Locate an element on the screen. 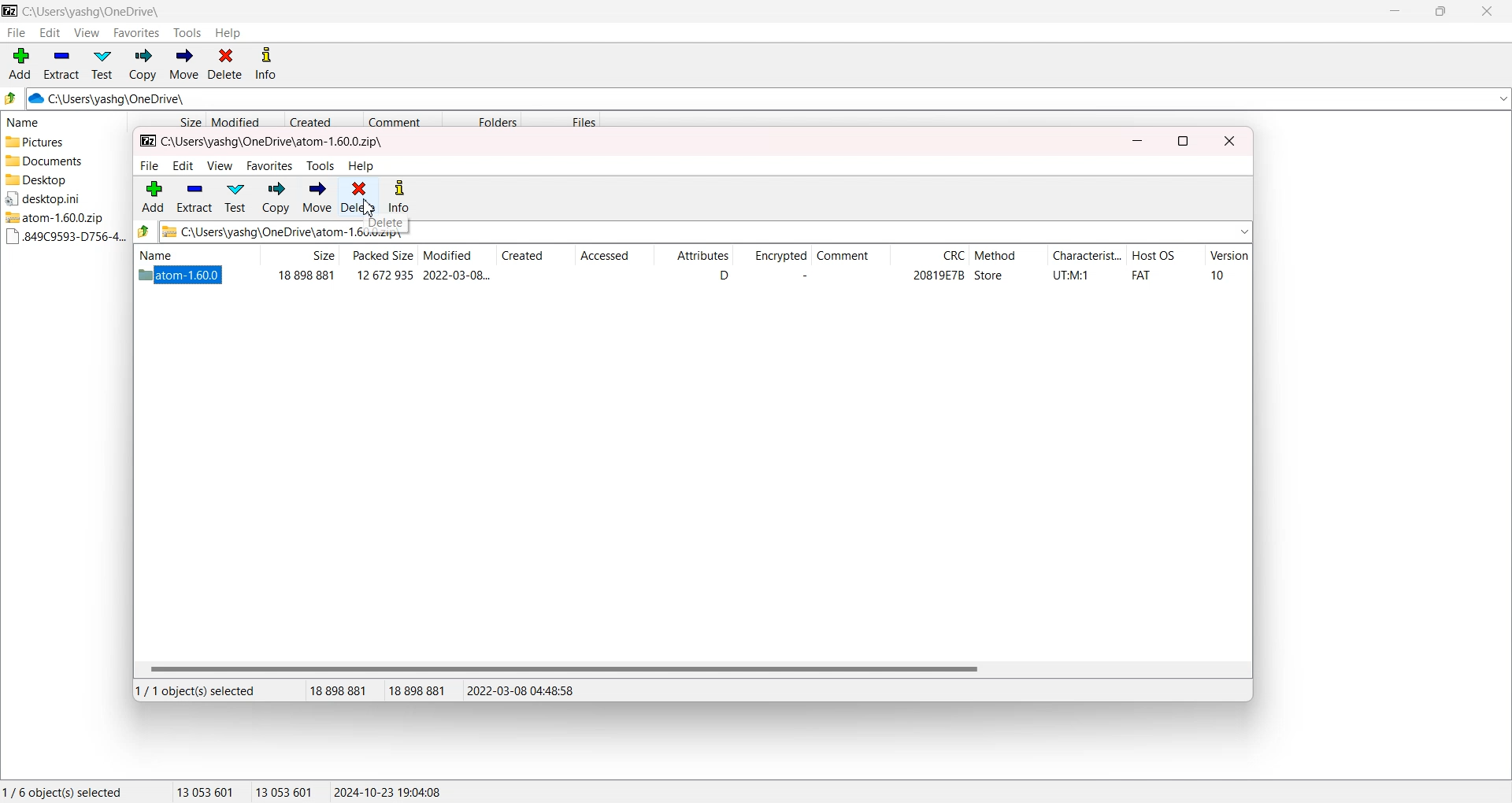  Tools is located at coordinates (188, 33).